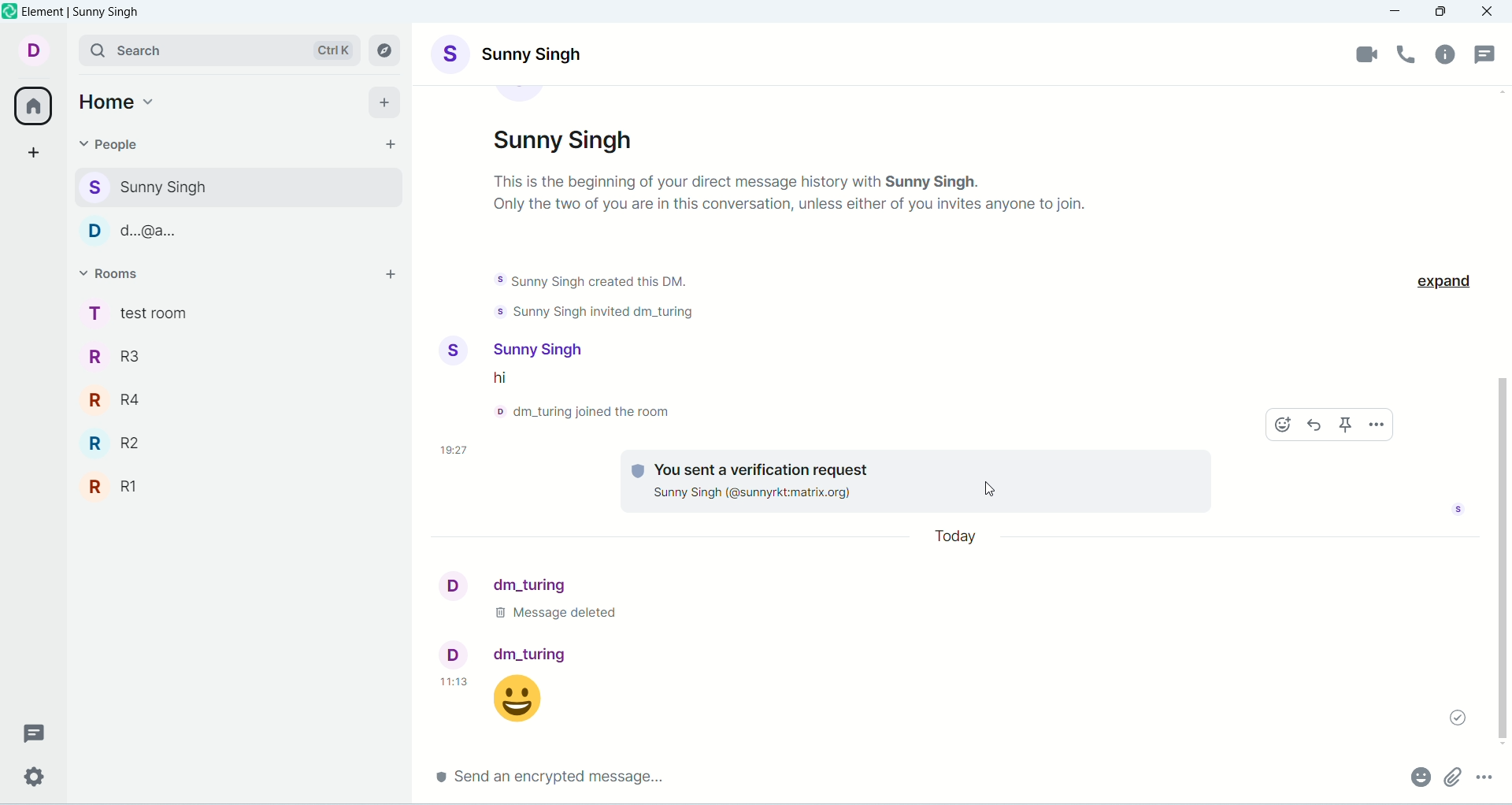 The image size is (1512, 805). What do you see at coordinates (1365, 54) in the screenshot?
I see `video call` at bounding box center [1365, 54].